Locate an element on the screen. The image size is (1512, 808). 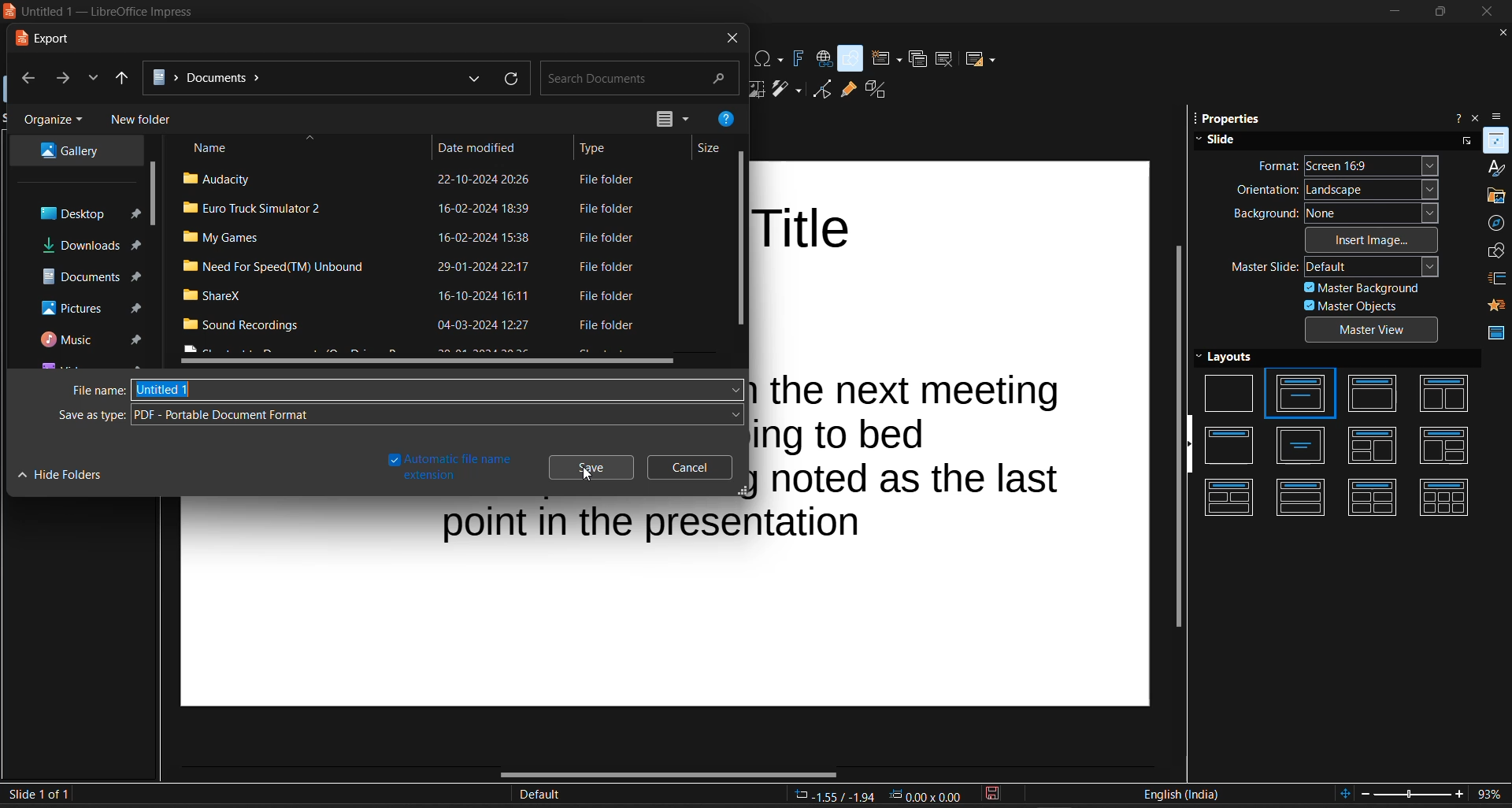
toggle extrusion is located at coordinates (876, 91).